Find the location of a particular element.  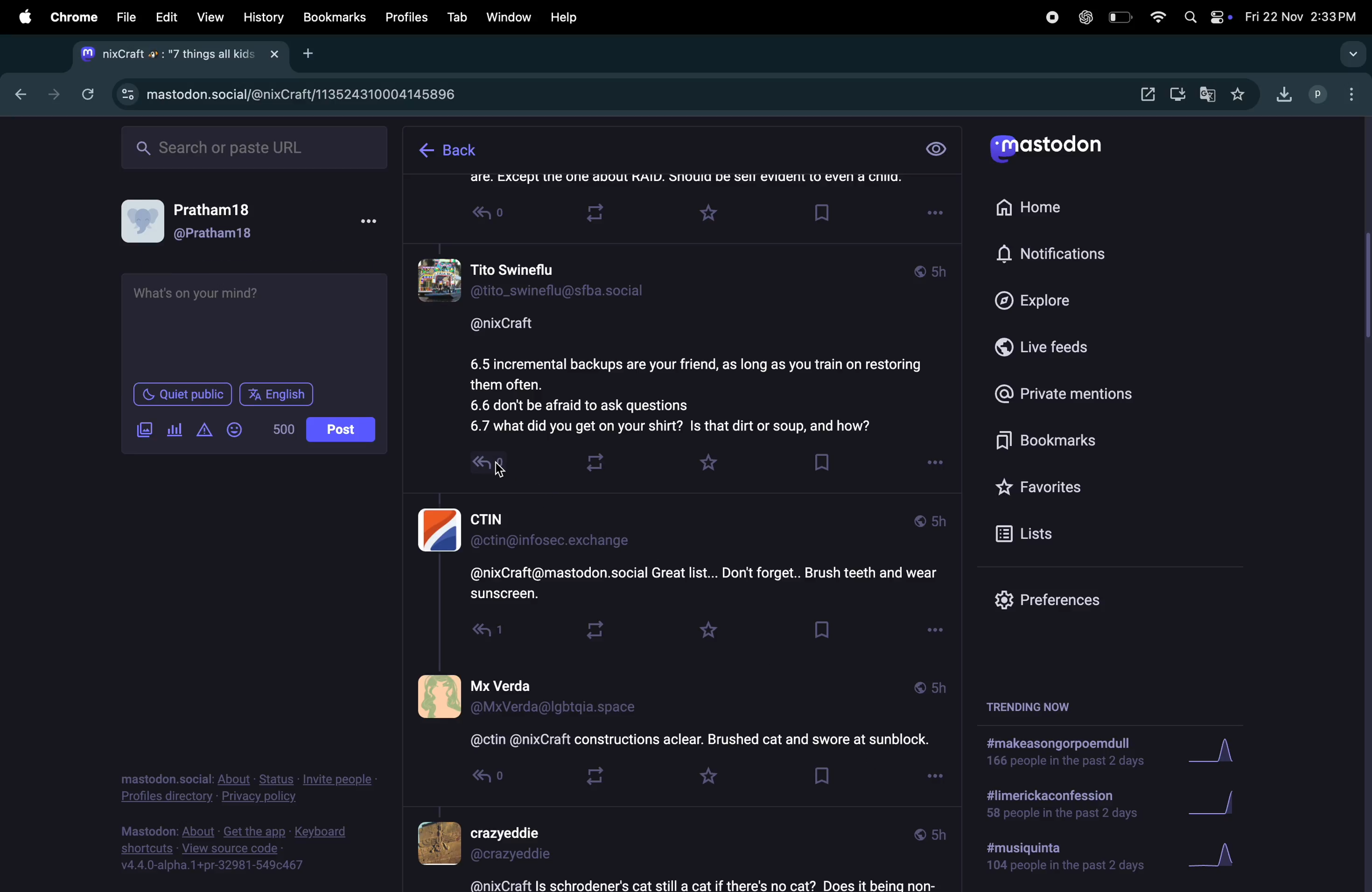

profile is located at coordinates (1317, 96).